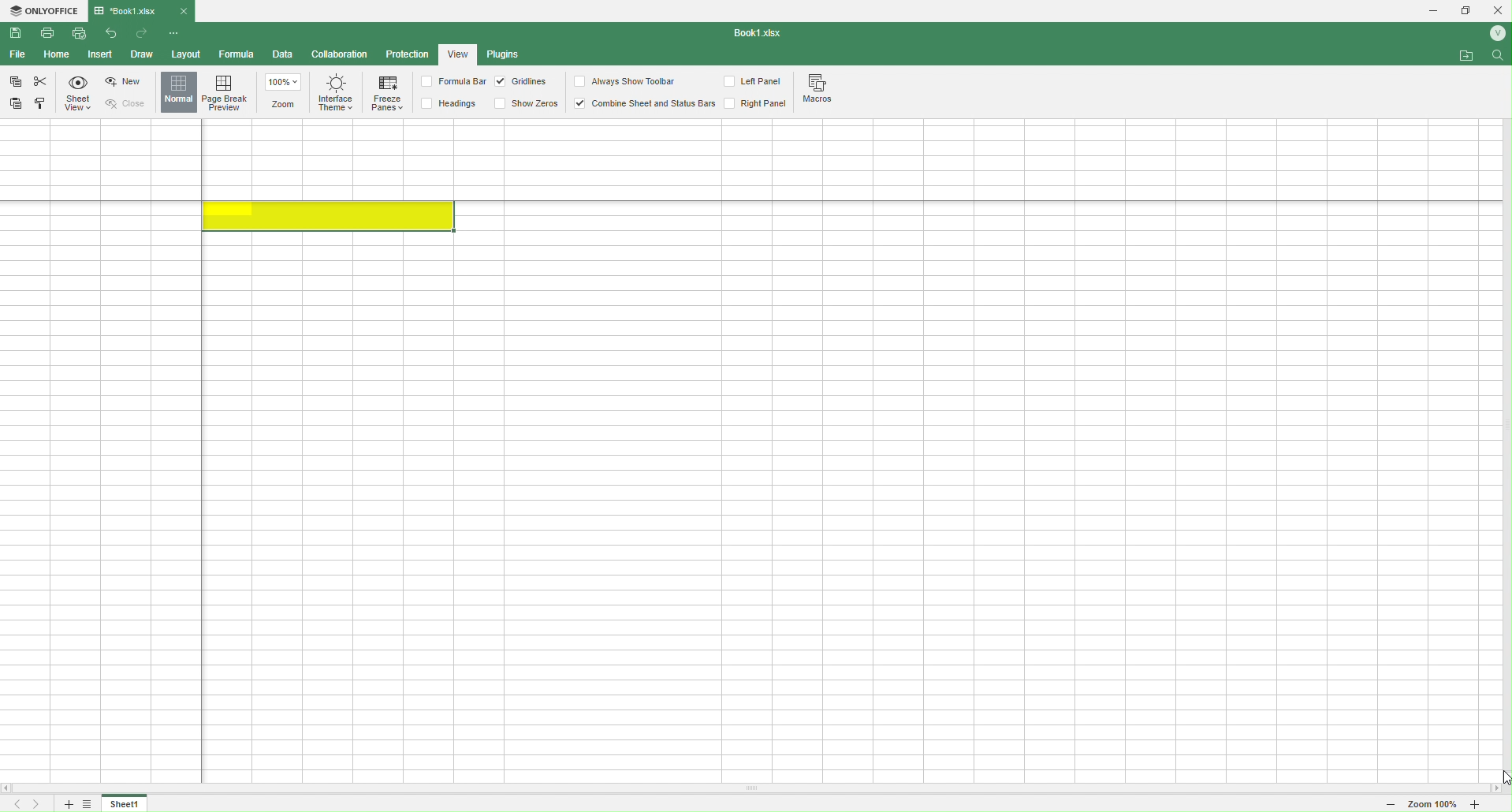  Describe the element at coordinates (58, 55) in the screenshot. I see `Home` at that location.